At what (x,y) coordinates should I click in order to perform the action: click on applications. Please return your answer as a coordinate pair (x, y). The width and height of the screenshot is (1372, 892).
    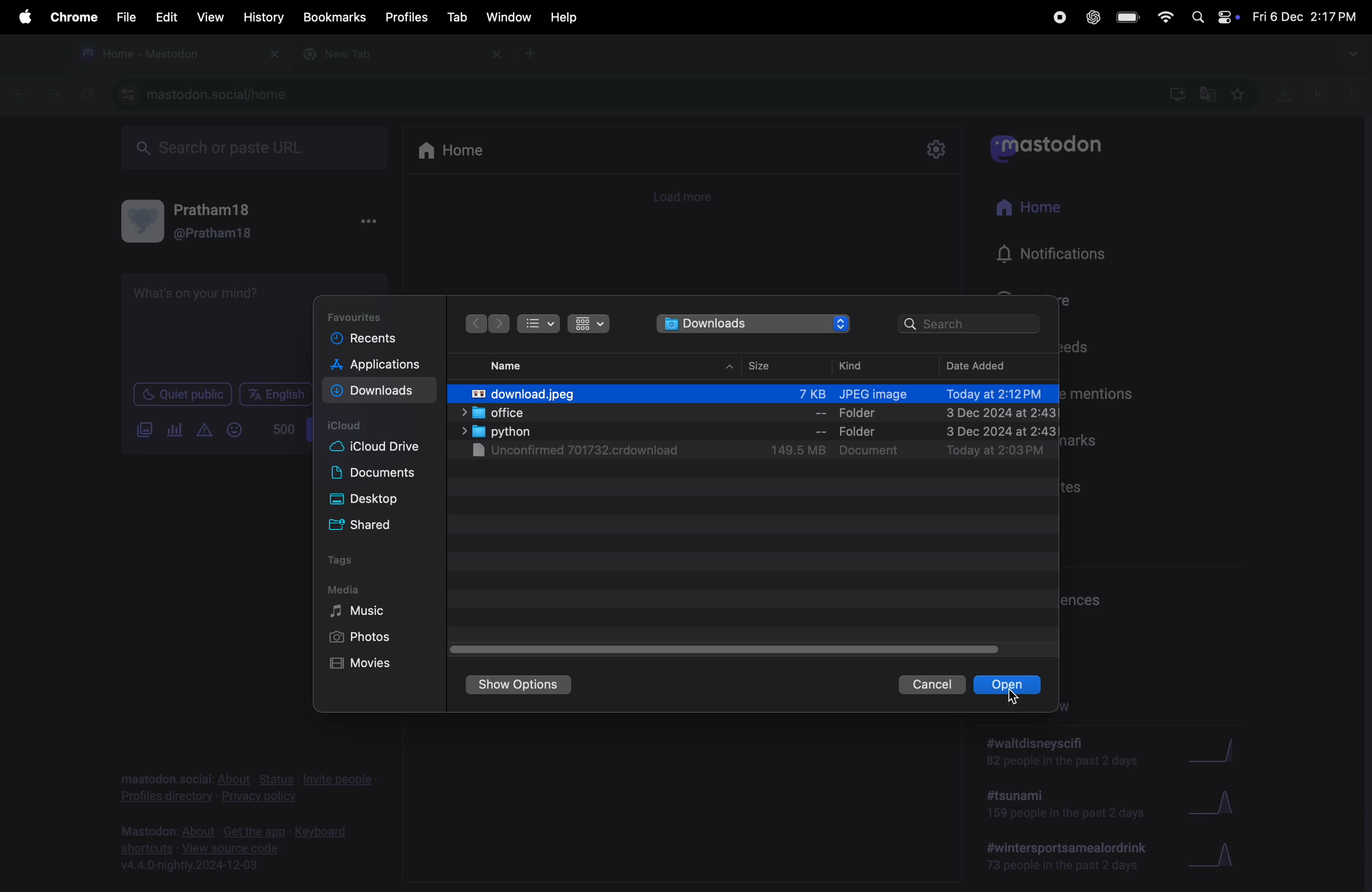
    Looking at the image, I should click on (378, 366).